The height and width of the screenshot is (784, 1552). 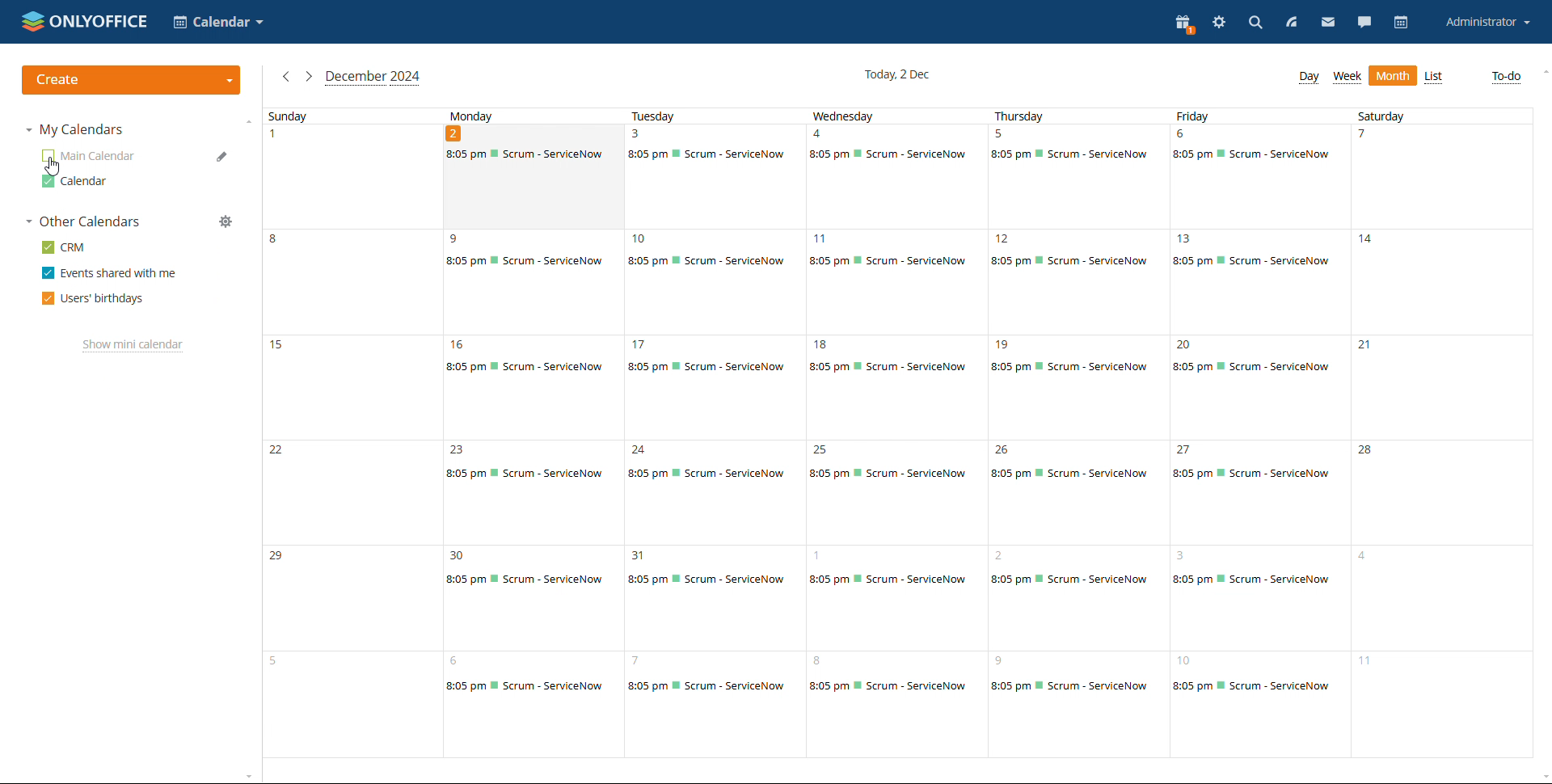 What do you see at coordinates (54, 166) in the screenshot?
I see `cursor` at bounding box center [54, 166].